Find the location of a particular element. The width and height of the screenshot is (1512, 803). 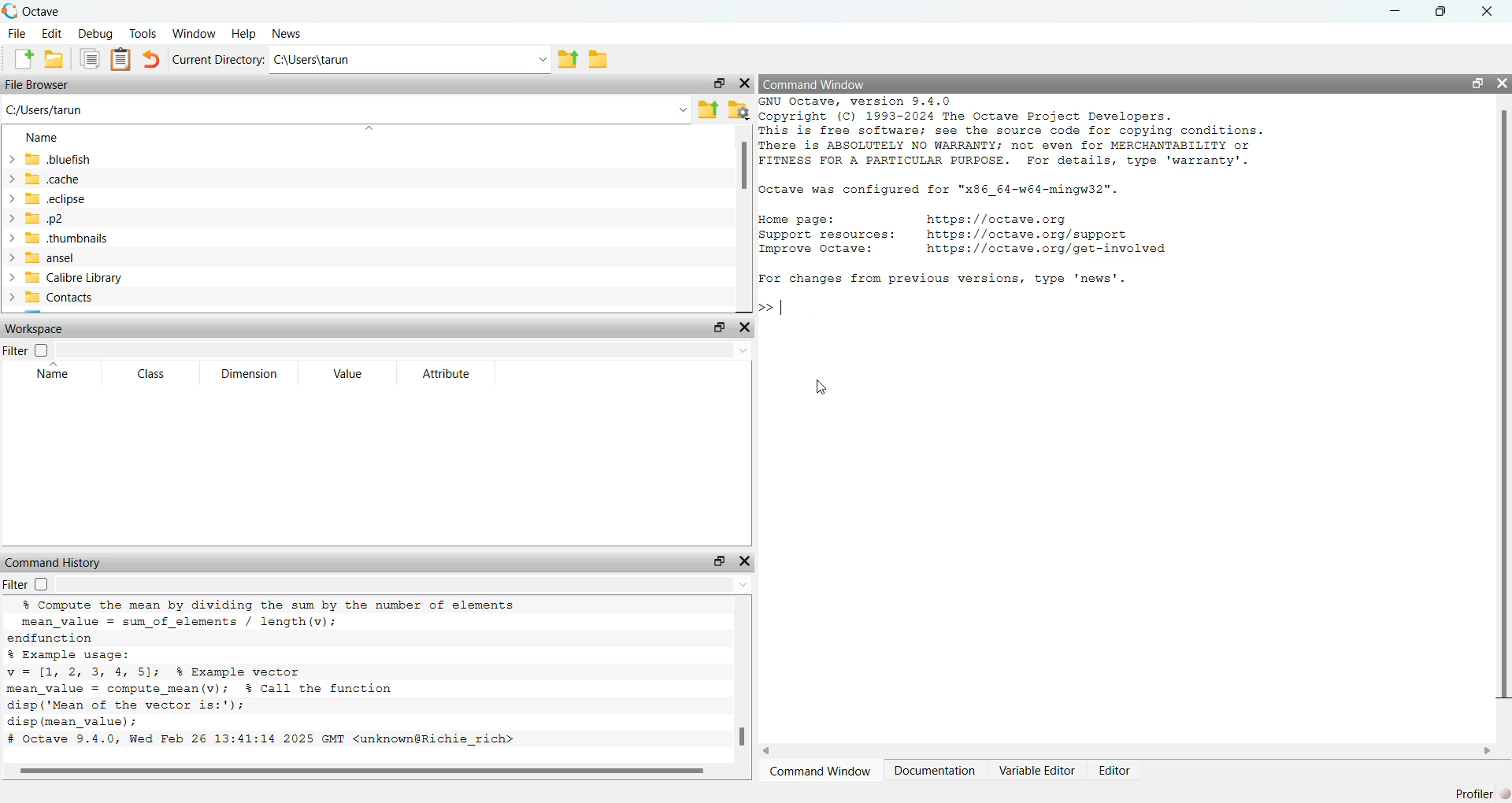

Drop-down  is located at coordinates (542, 60).